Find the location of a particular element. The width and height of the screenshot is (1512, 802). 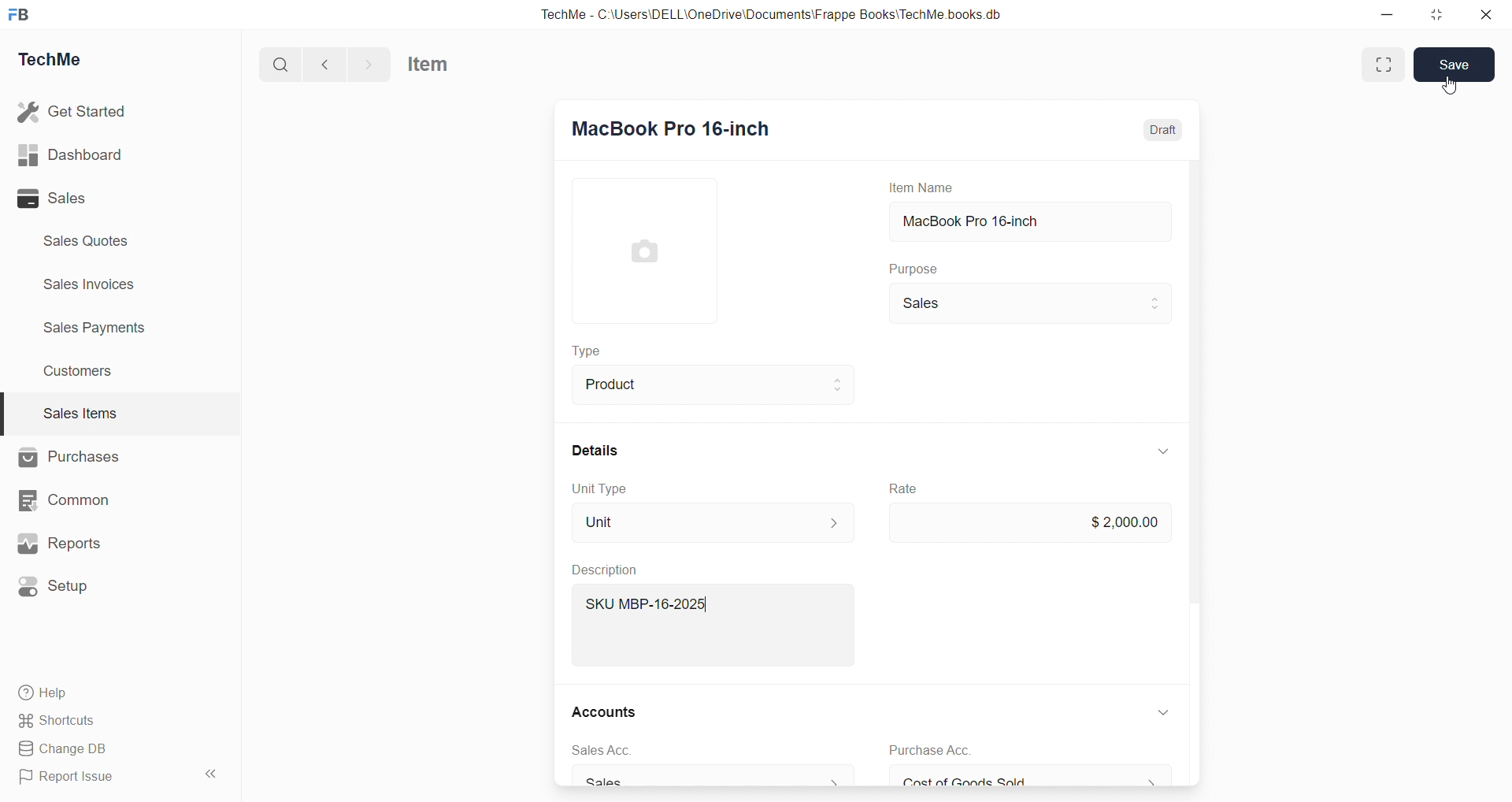

Customers is located at coordinates (80, 373).